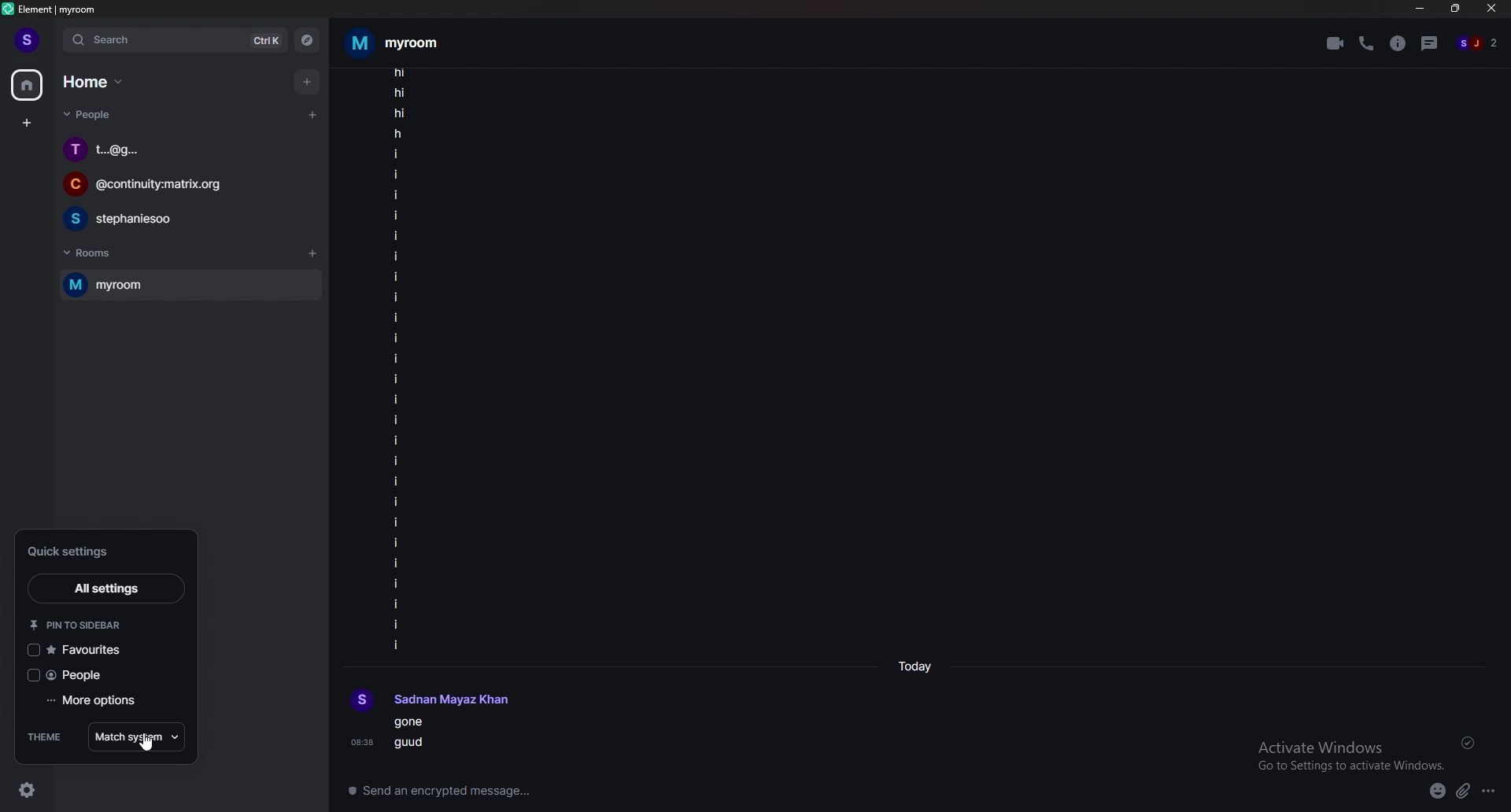 The width and height of the screenshot is (1511, 812). What do you see at coordinates (1463, 791) in the screenshot?
I see `attachment` at bounding box center [1463, 791].